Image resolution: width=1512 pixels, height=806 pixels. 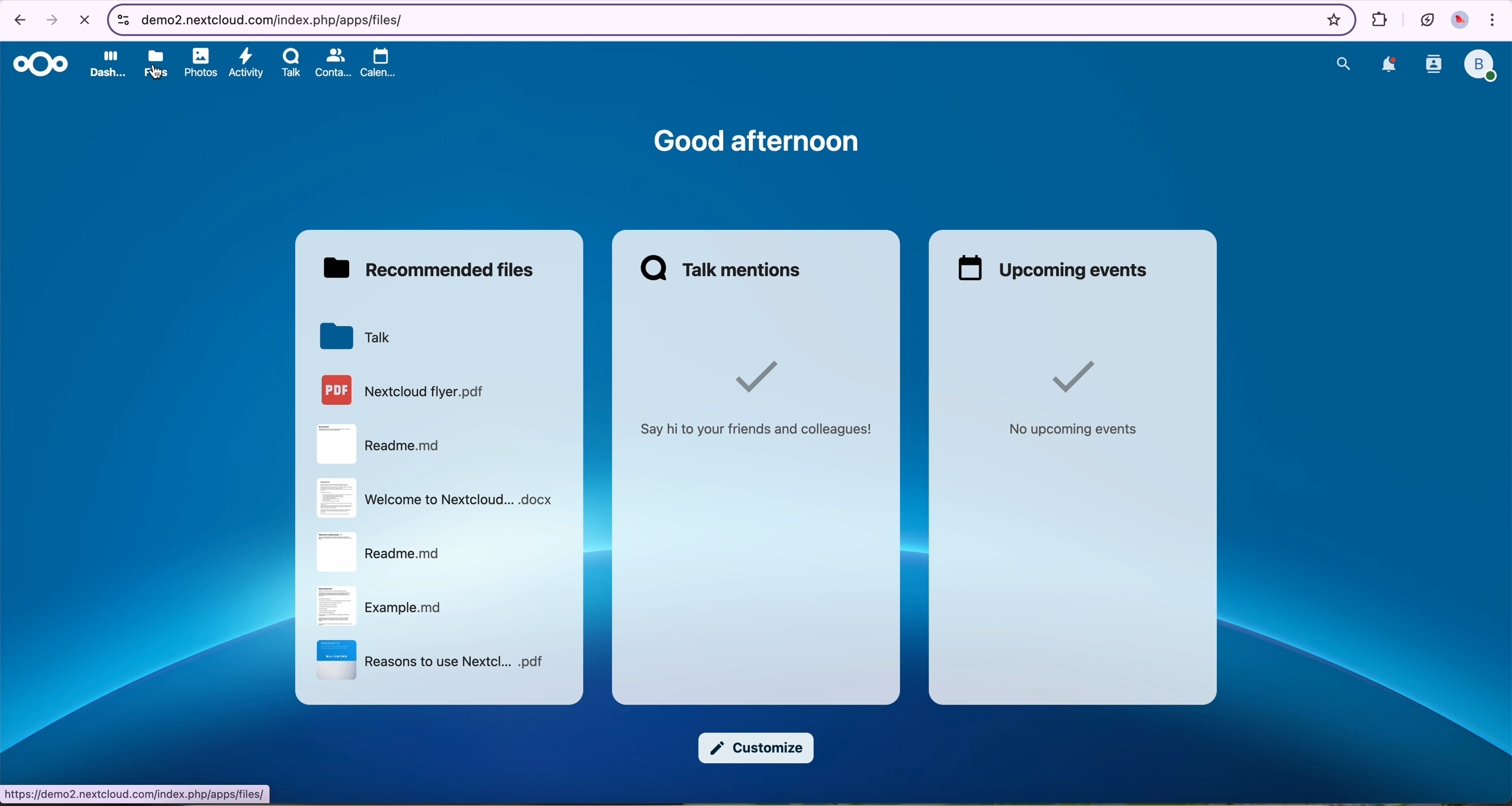 I want to click on photos, so click(x=202, y=63).